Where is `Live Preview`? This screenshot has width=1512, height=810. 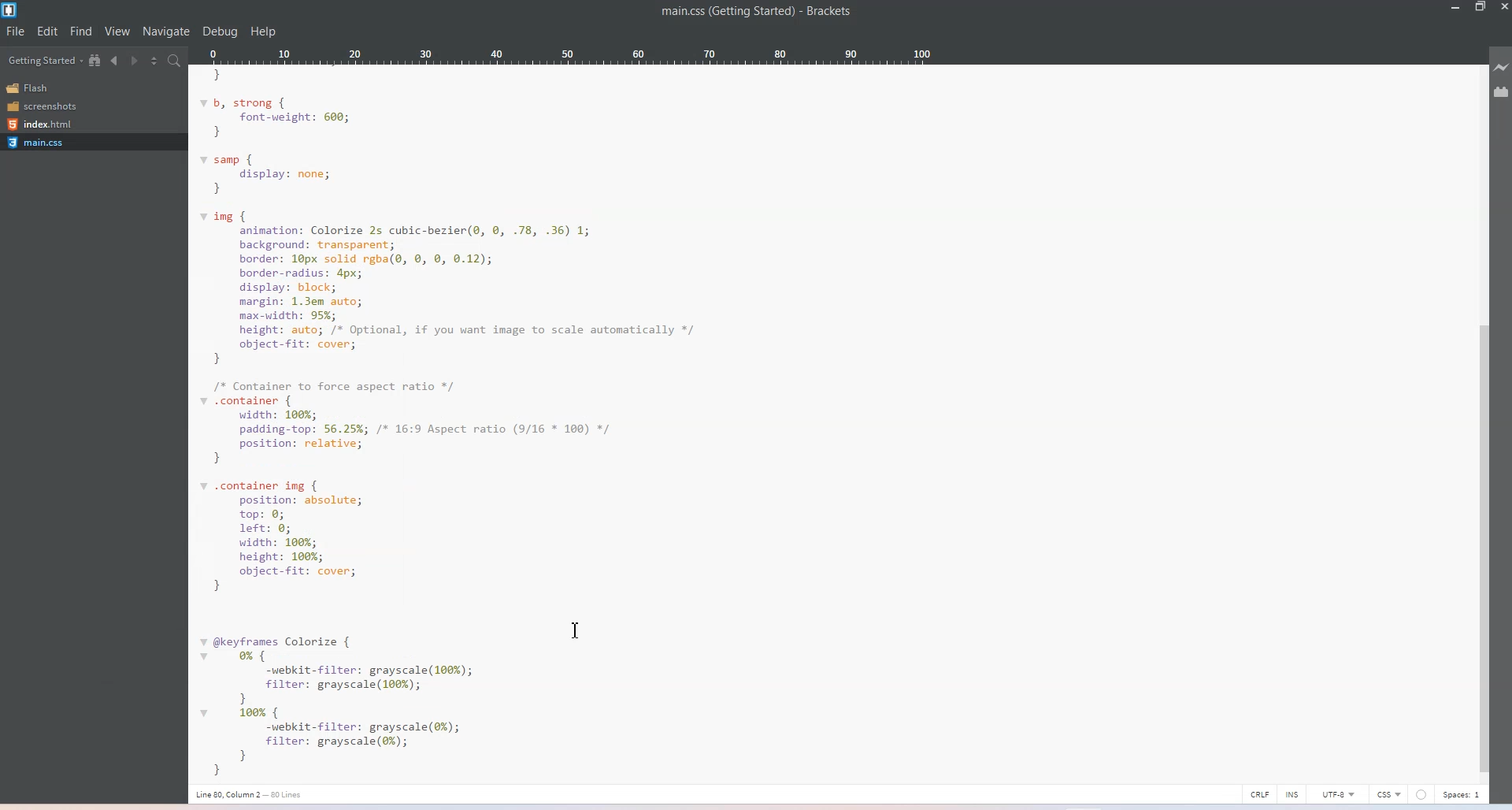 Live Preview is located at coordinates (1503, 68).